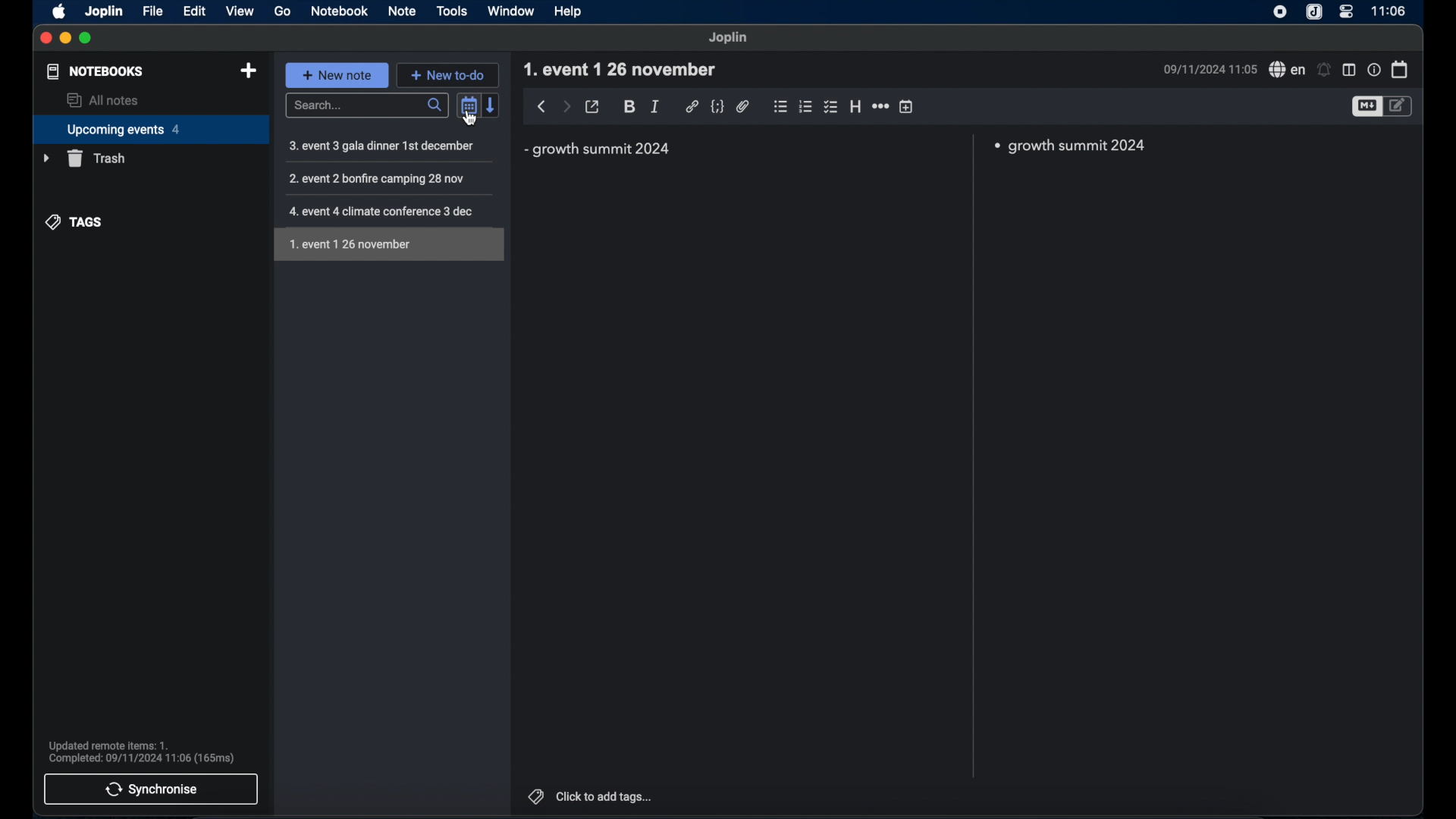 The width and height of the screenshot is (1456, 819). What do you see at coordinates (1346, 11) in the screenshot?
I see `control center` at bounding box center [1346, 11].